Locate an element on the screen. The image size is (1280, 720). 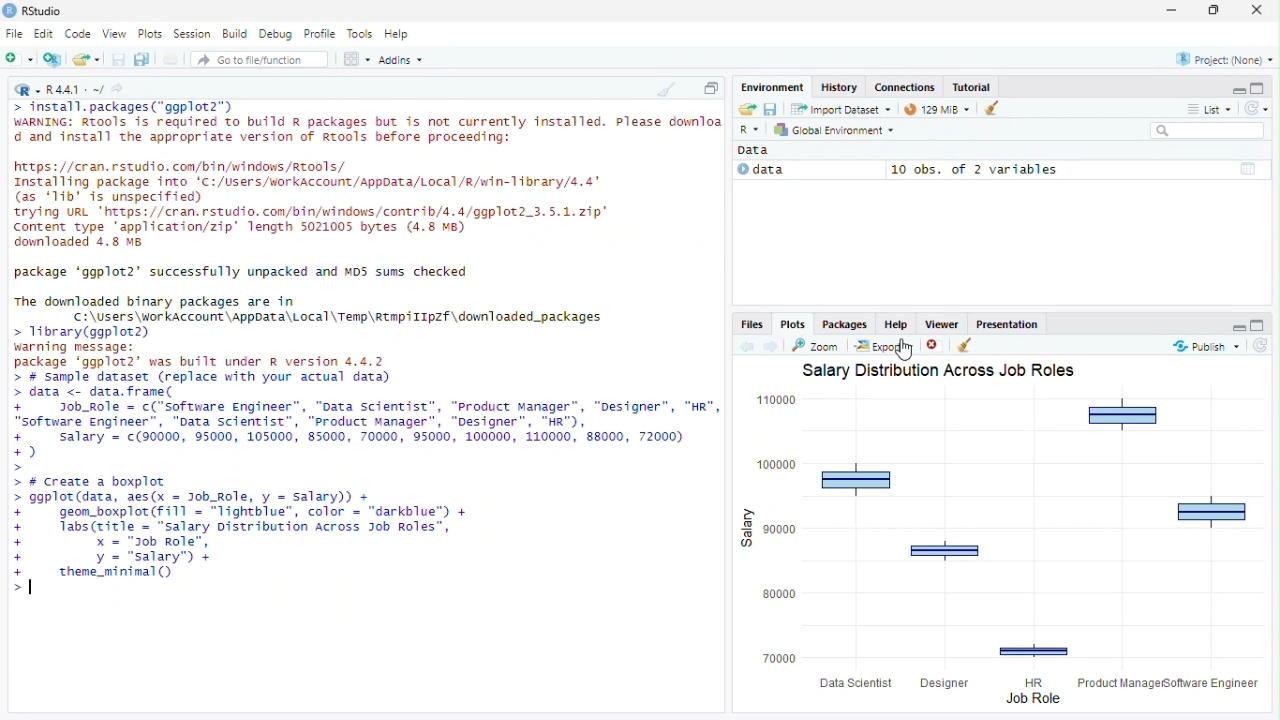
Minimize is located at coordinates (1233, 87).